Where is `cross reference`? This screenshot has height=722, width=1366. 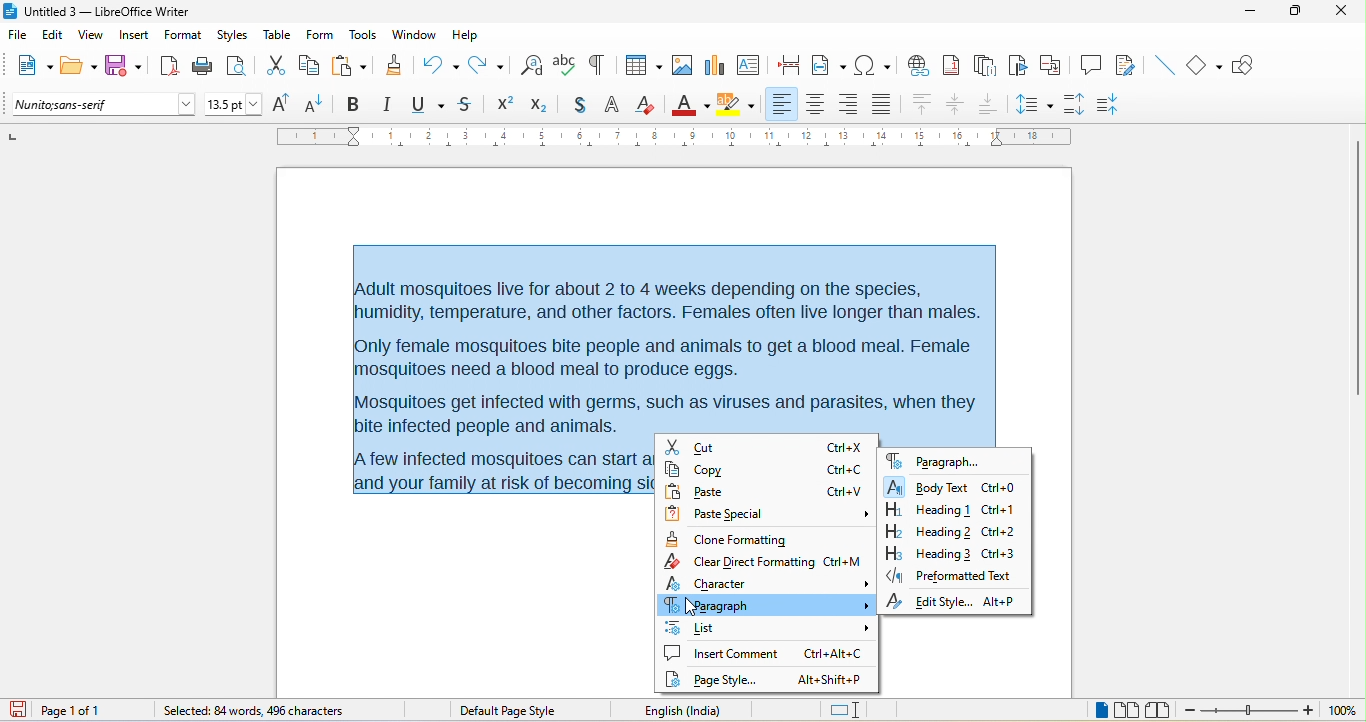 cross reference is located at coordinates (1055, 65).